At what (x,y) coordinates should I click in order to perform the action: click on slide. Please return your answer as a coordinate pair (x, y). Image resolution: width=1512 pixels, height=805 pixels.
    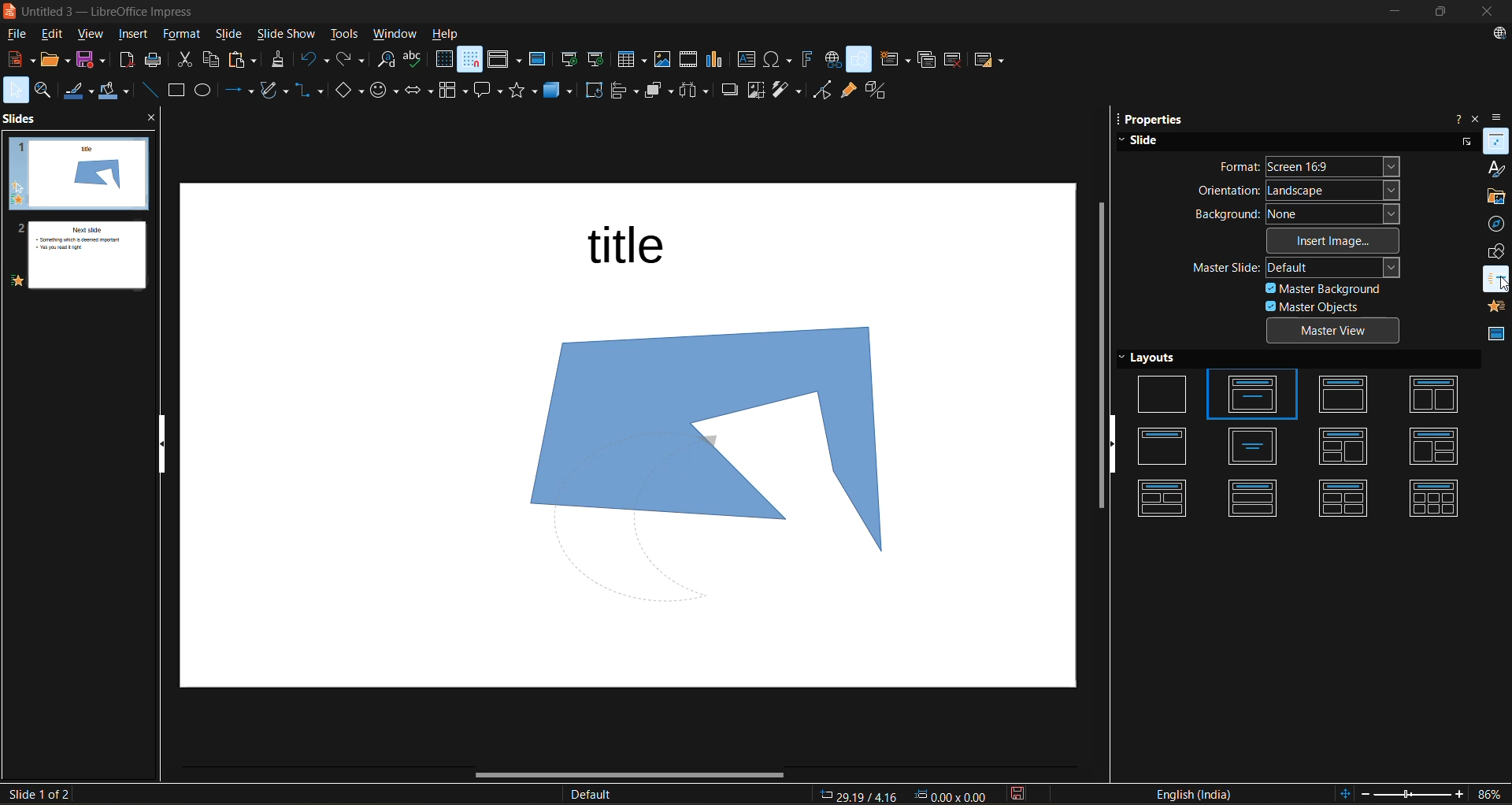
    Looking at the image, I should click on (231, 34).